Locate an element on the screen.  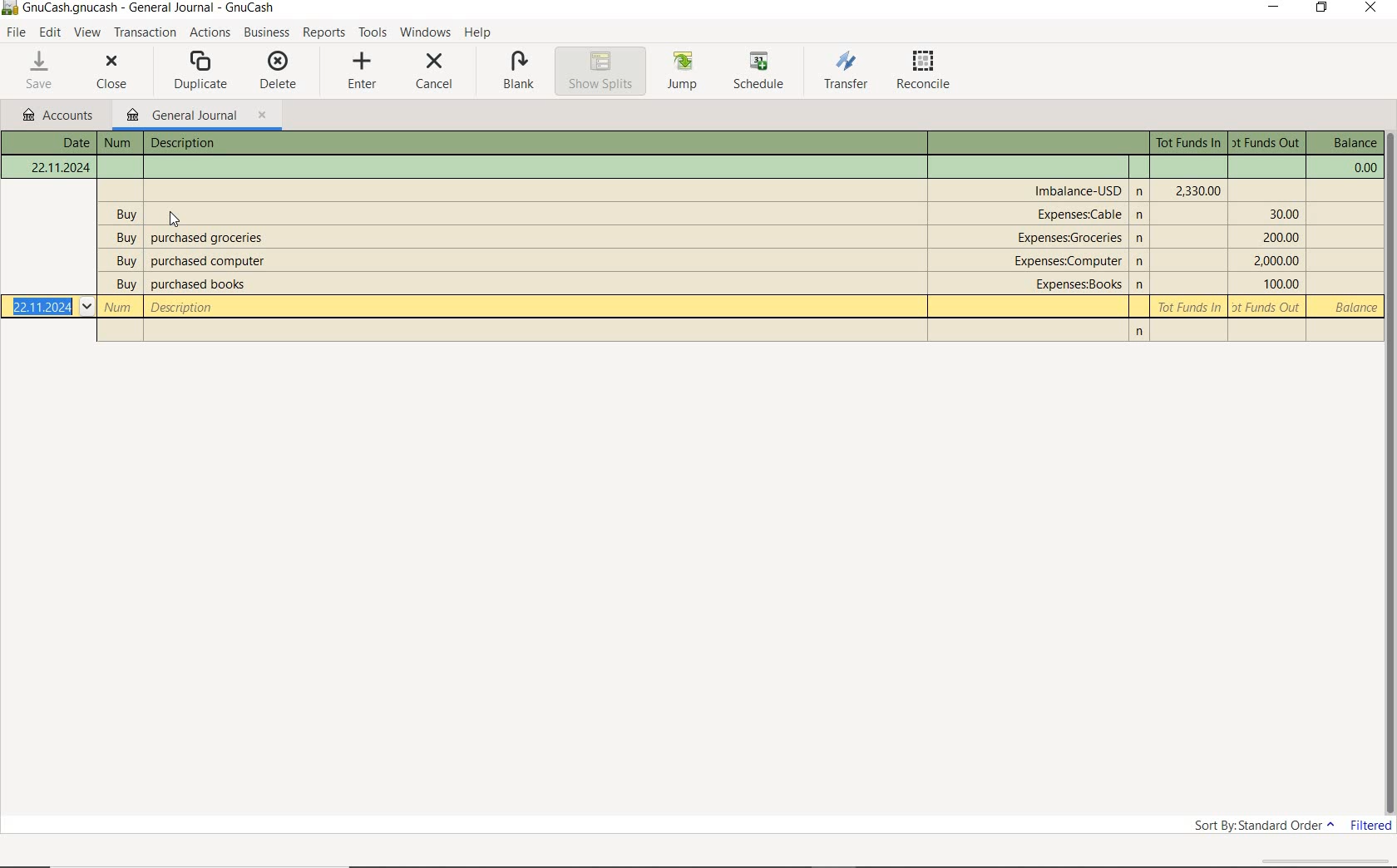
jump is located at coordinates (684, 72).